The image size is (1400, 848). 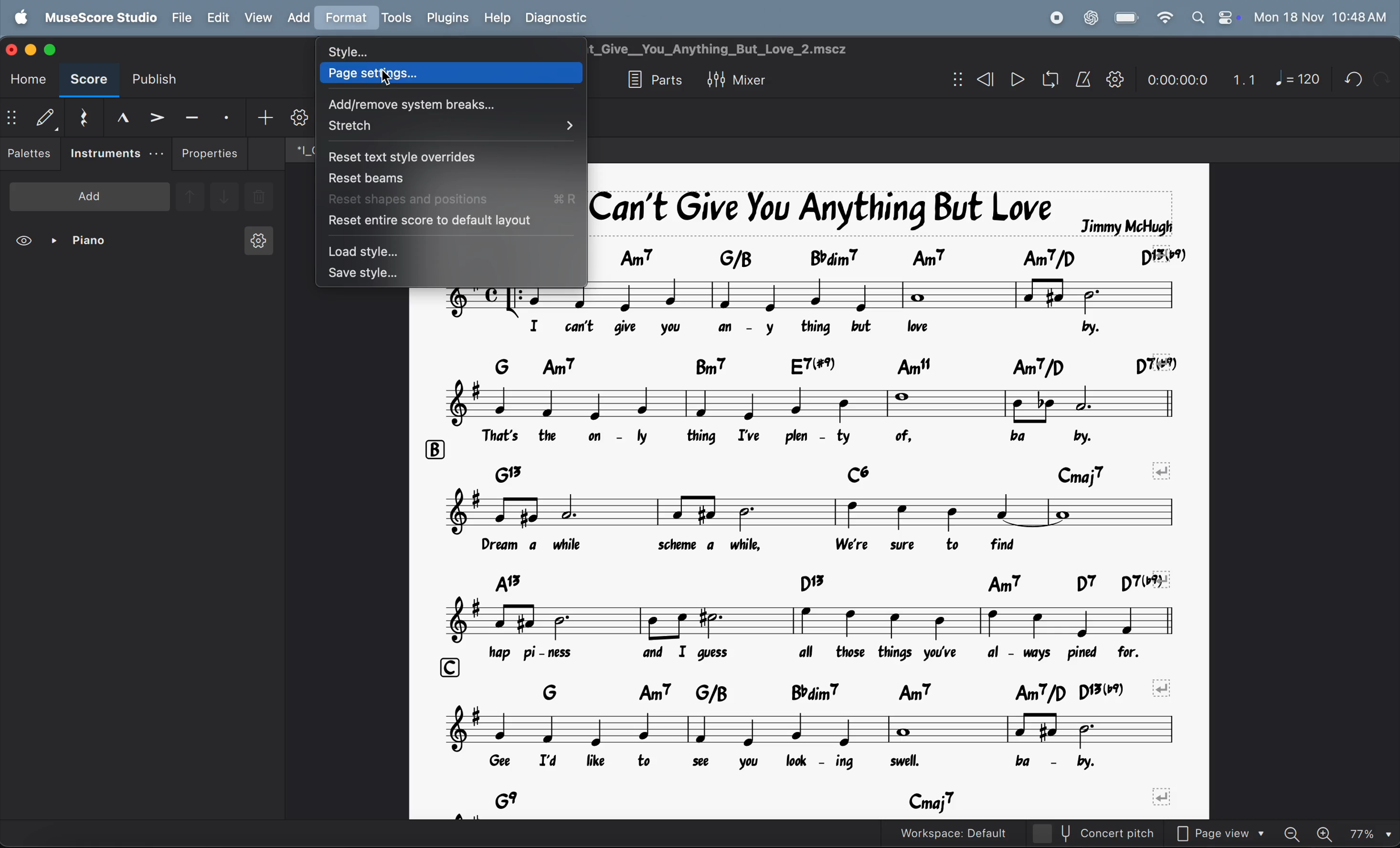 I want to click on accent, so click(x=156, y=116).